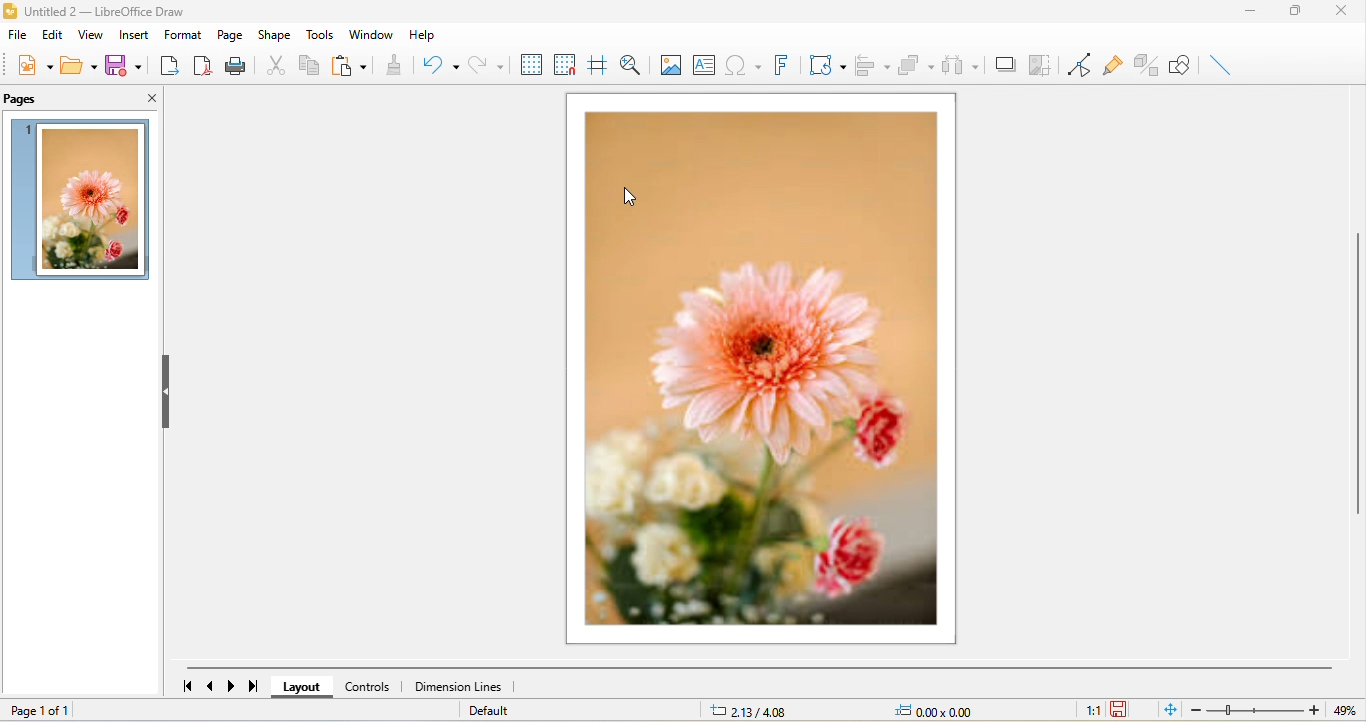  What do you see at coordinates (25, 100) in the screenshot?
I see `pages` at bounding box center [25, 100].